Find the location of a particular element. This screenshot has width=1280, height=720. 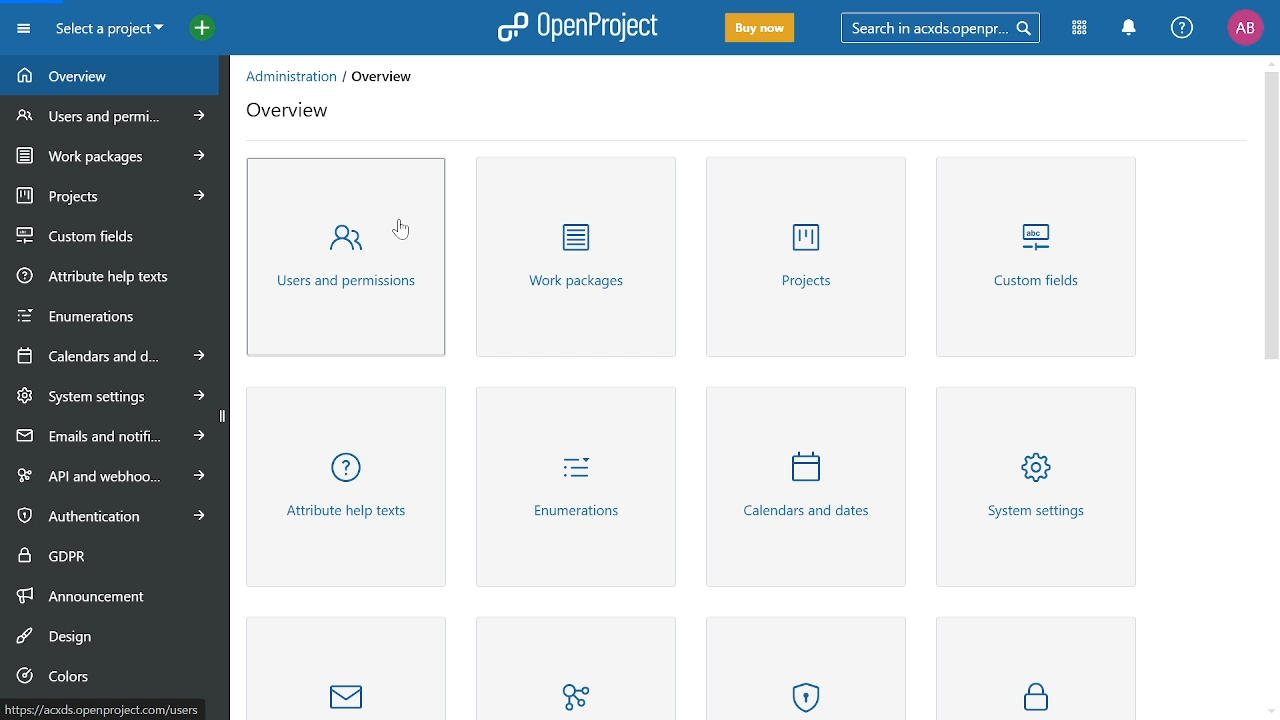

Expand project menu is located at coordinates (23, 28).